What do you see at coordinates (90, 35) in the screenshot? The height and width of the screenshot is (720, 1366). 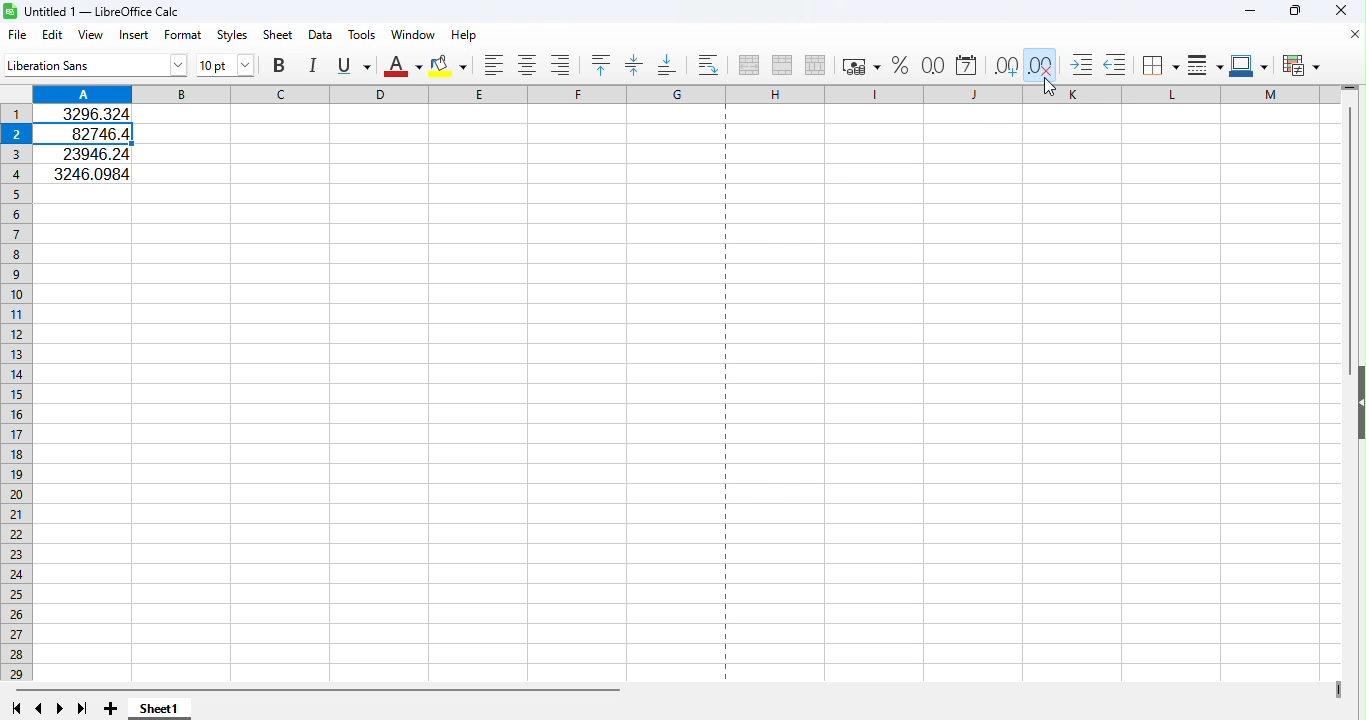 I see `View` at bounding box center [90, 35].